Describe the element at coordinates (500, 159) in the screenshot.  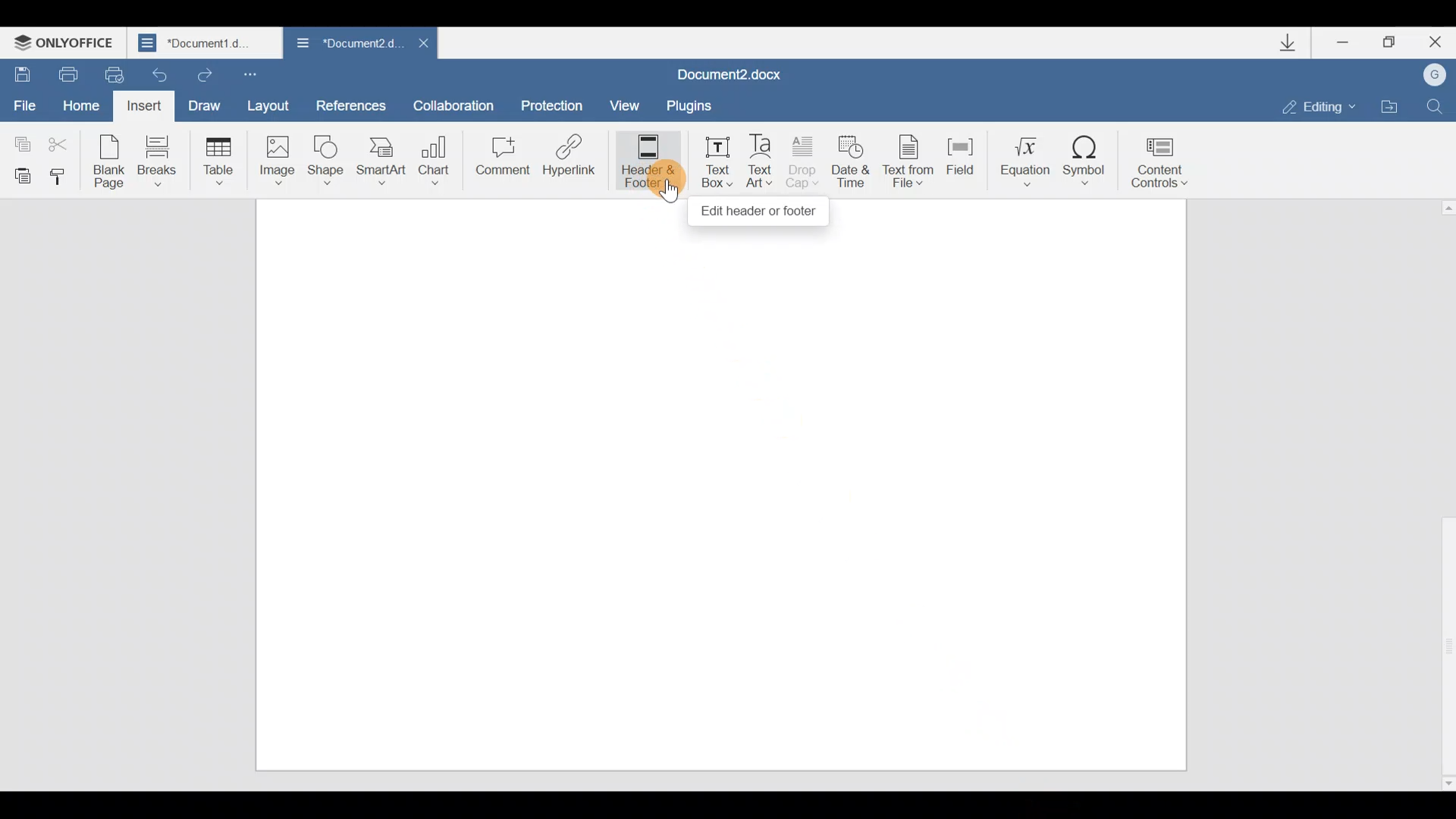
I see `Comment` at that location.